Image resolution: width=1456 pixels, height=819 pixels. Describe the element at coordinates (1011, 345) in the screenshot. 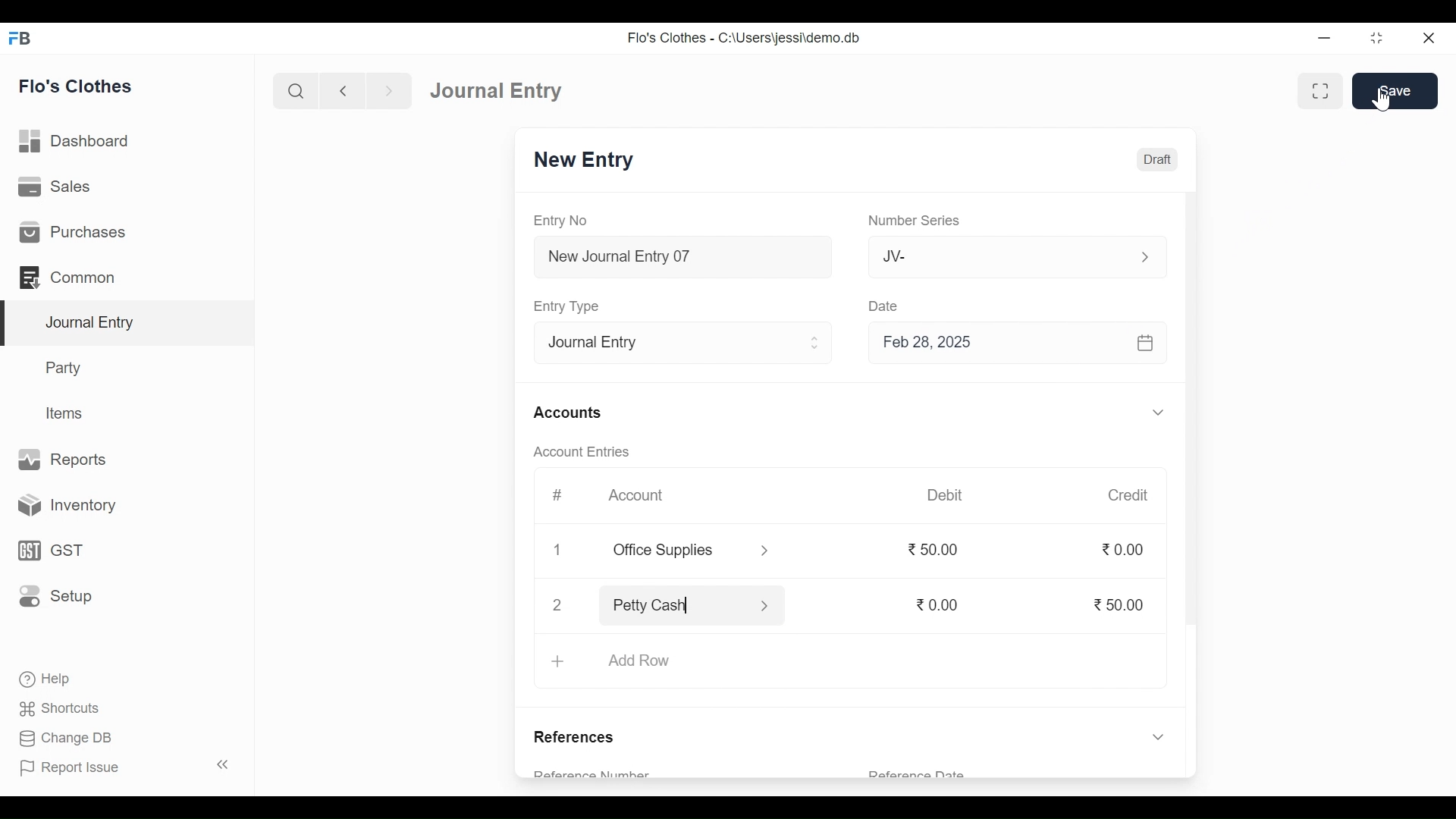

I see `Feb 28, 2025` at that location.